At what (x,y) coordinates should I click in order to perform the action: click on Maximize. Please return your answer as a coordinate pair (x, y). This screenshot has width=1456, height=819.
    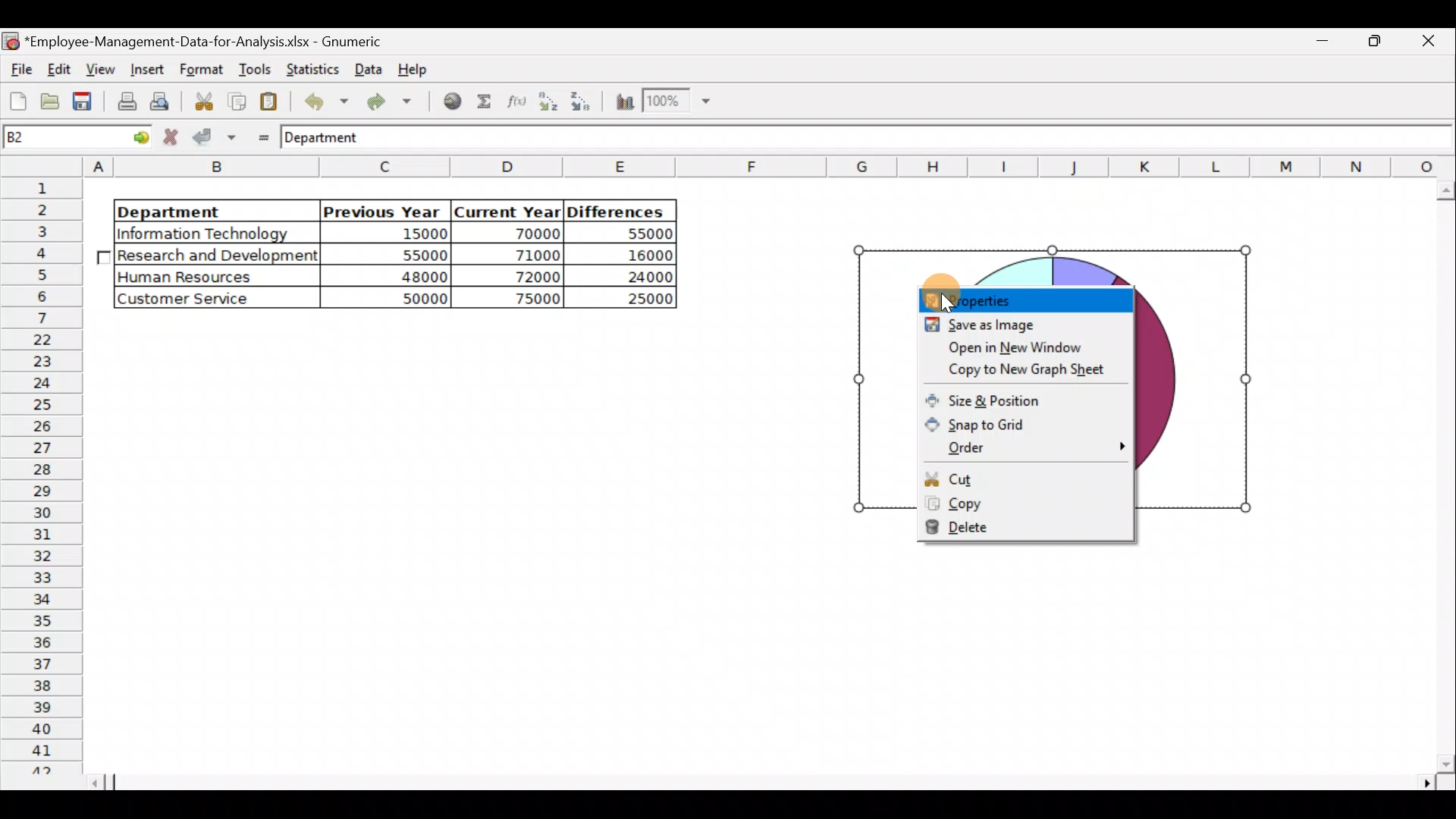
    Looking at the image, I should click on (1328, 43).